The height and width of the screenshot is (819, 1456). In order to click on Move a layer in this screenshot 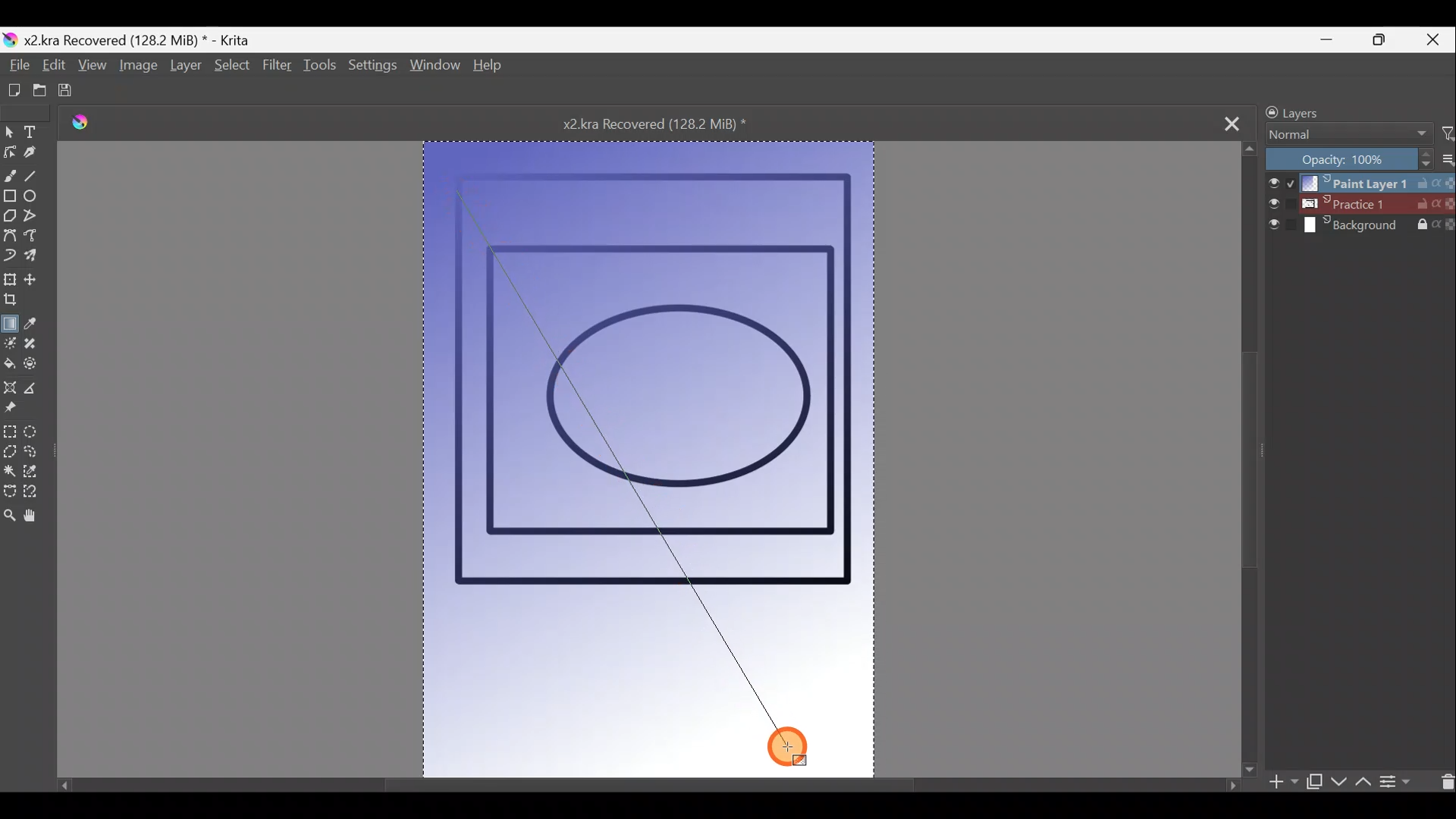, I will do `click(38, 279)`.